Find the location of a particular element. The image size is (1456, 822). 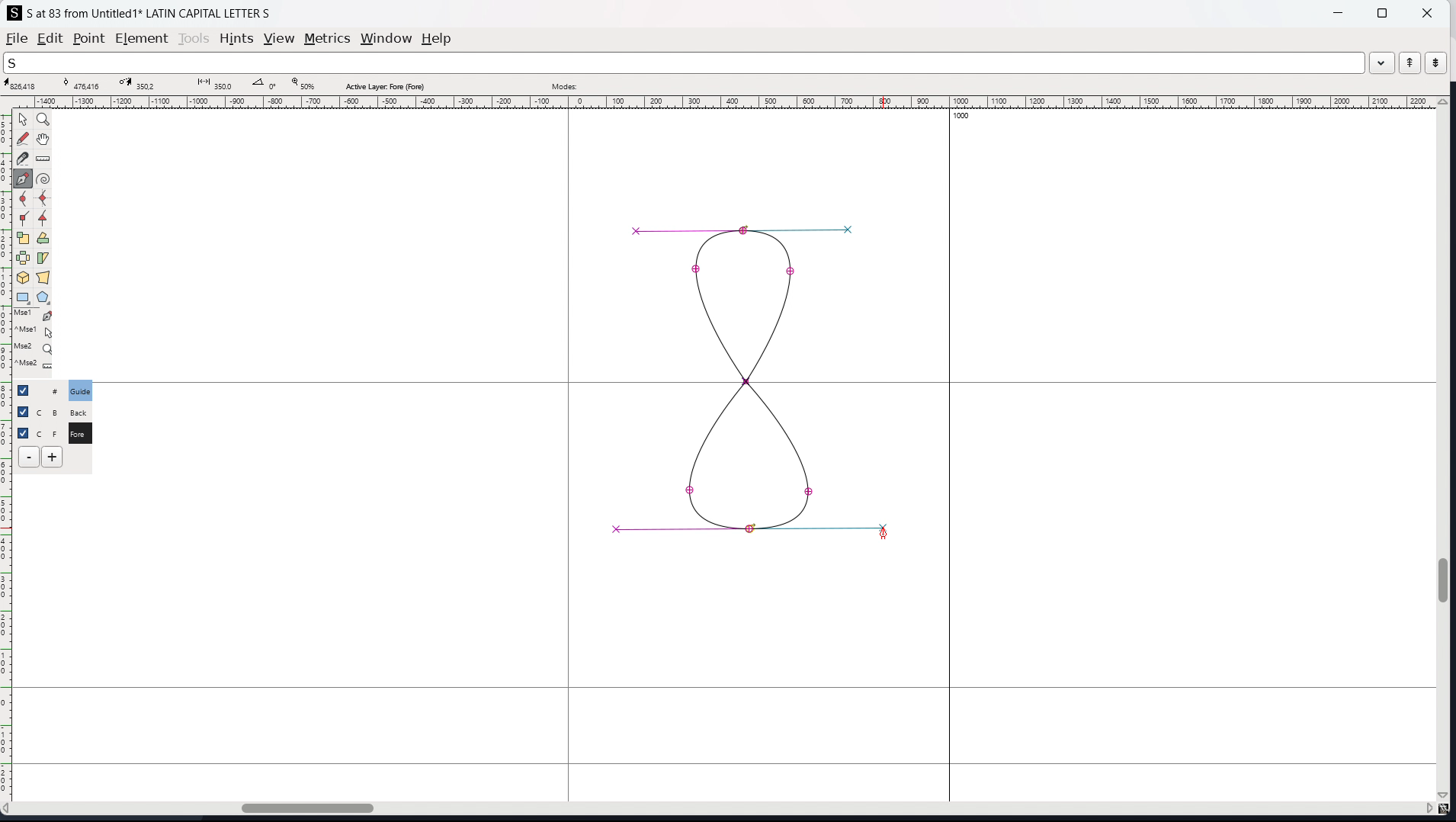

modes is located at coordinates (564, 85).